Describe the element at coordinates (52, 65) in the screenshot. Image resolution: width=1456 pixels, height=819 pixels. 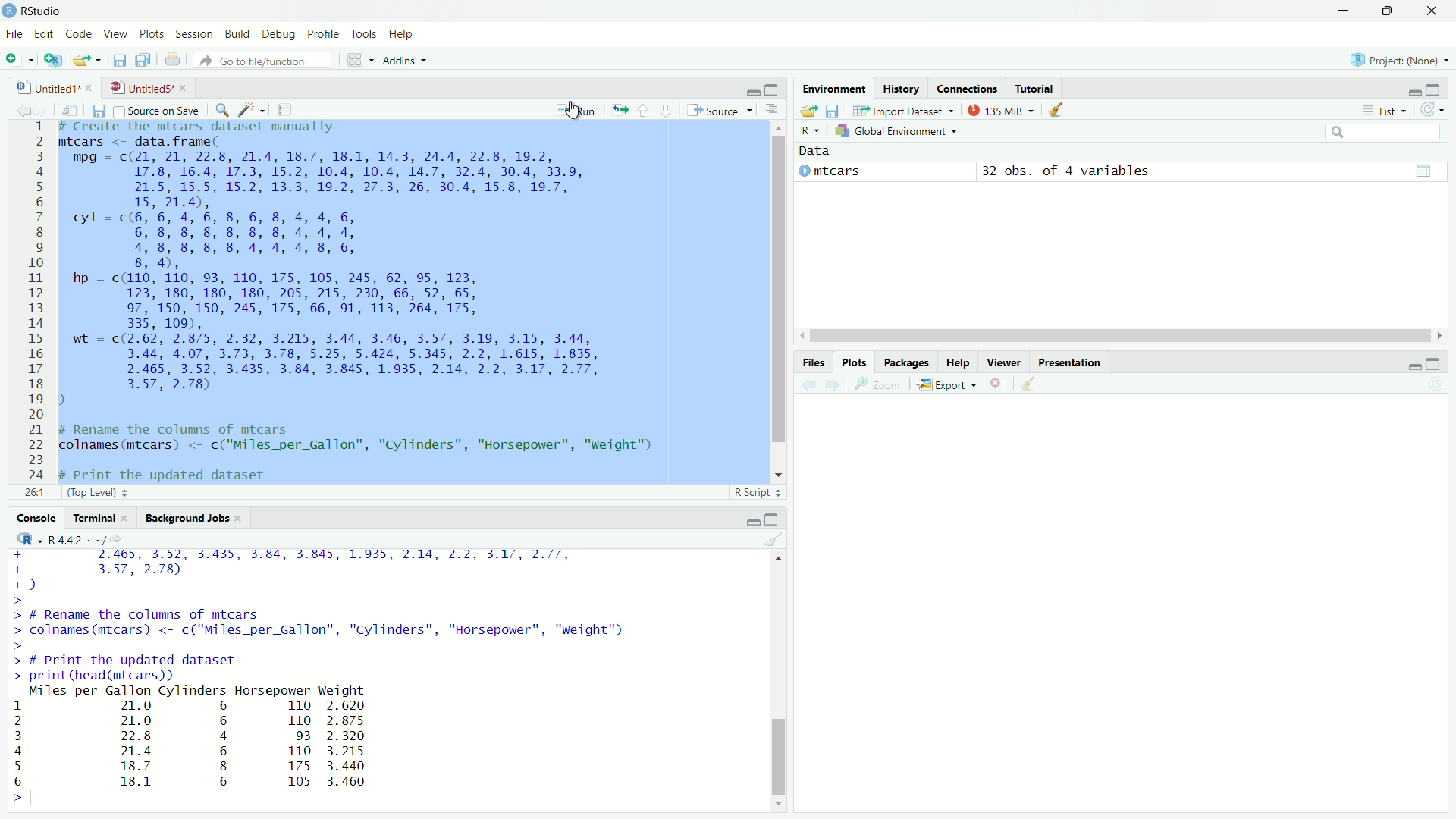
I see `add  script` at that location.